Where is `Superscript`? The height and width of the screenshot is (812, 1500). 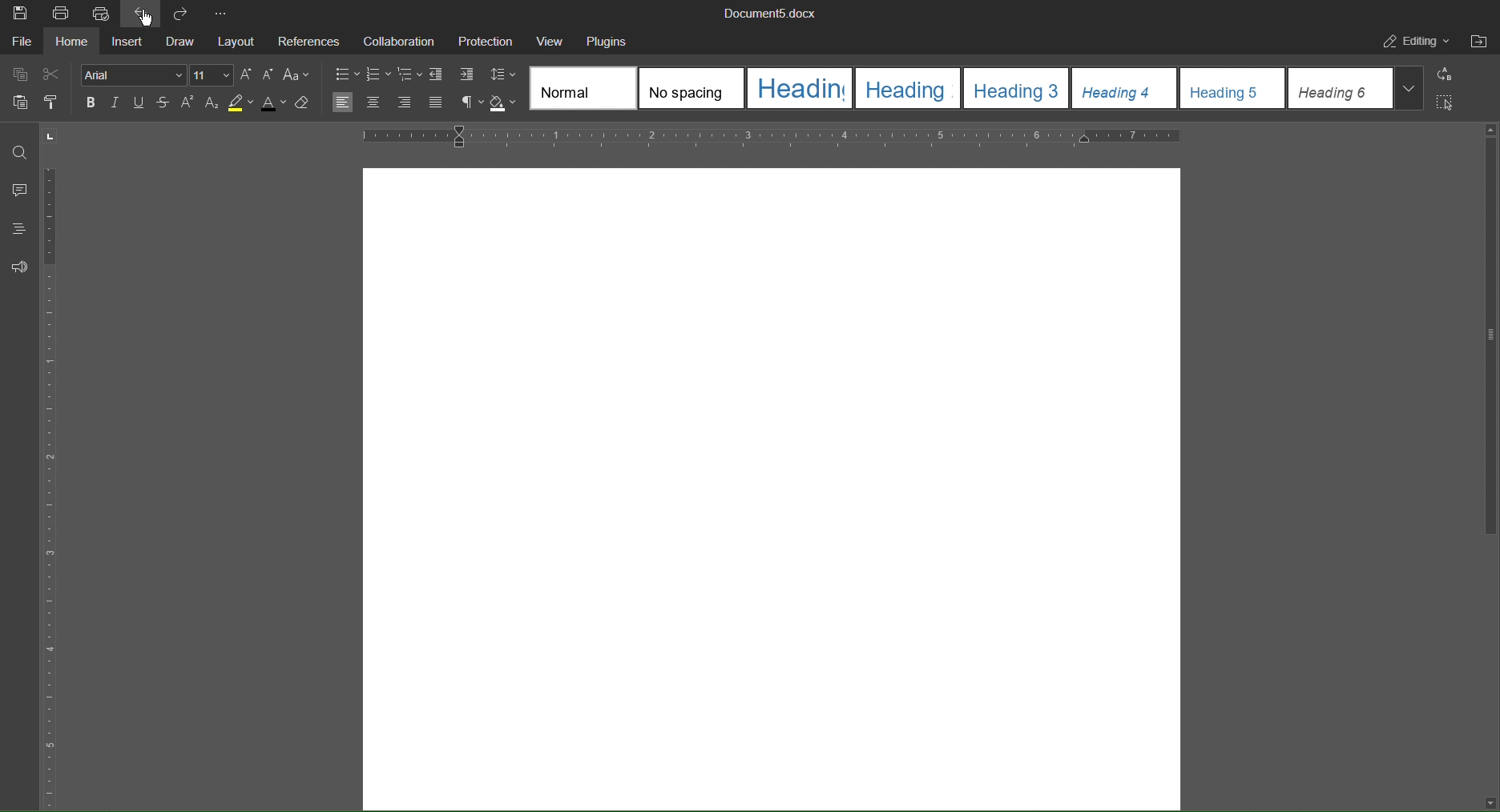 Superscript is located at coordinates (187, 103).